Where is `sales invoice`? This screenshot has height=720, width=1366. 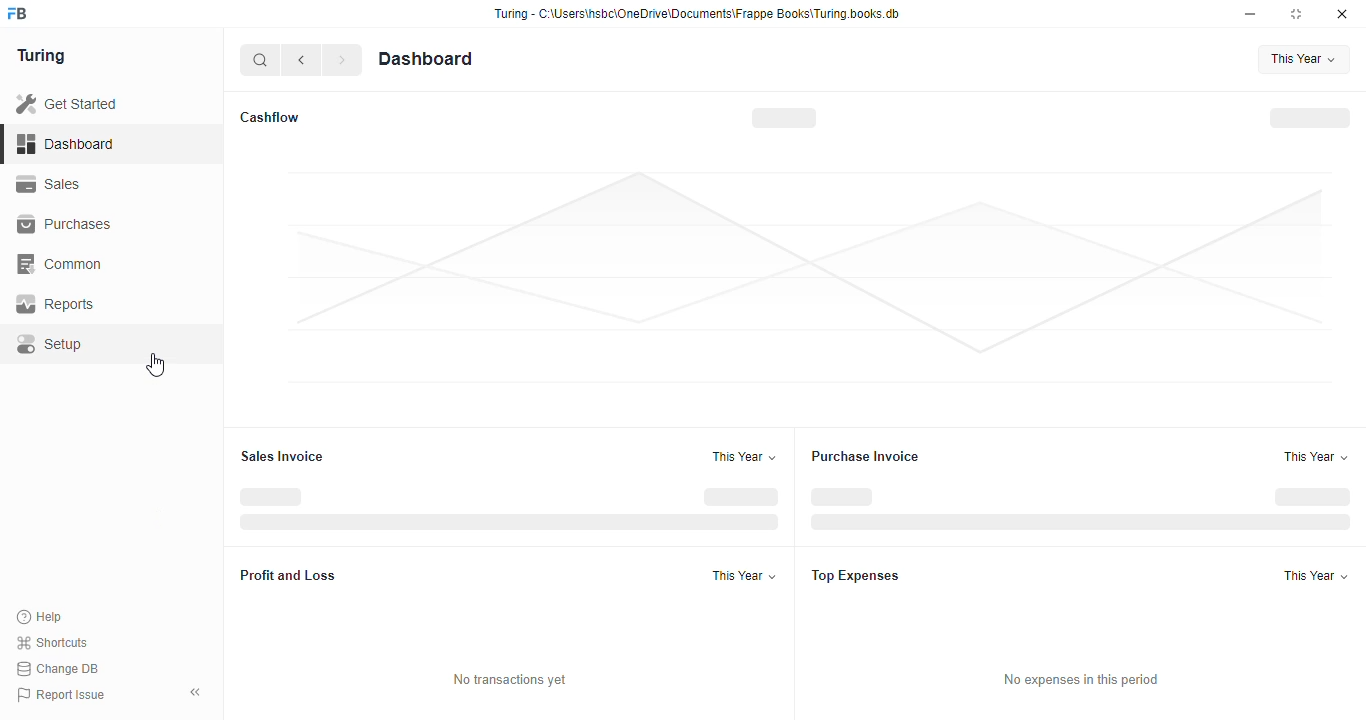 sales invoice is located at coordinates (282, 457).